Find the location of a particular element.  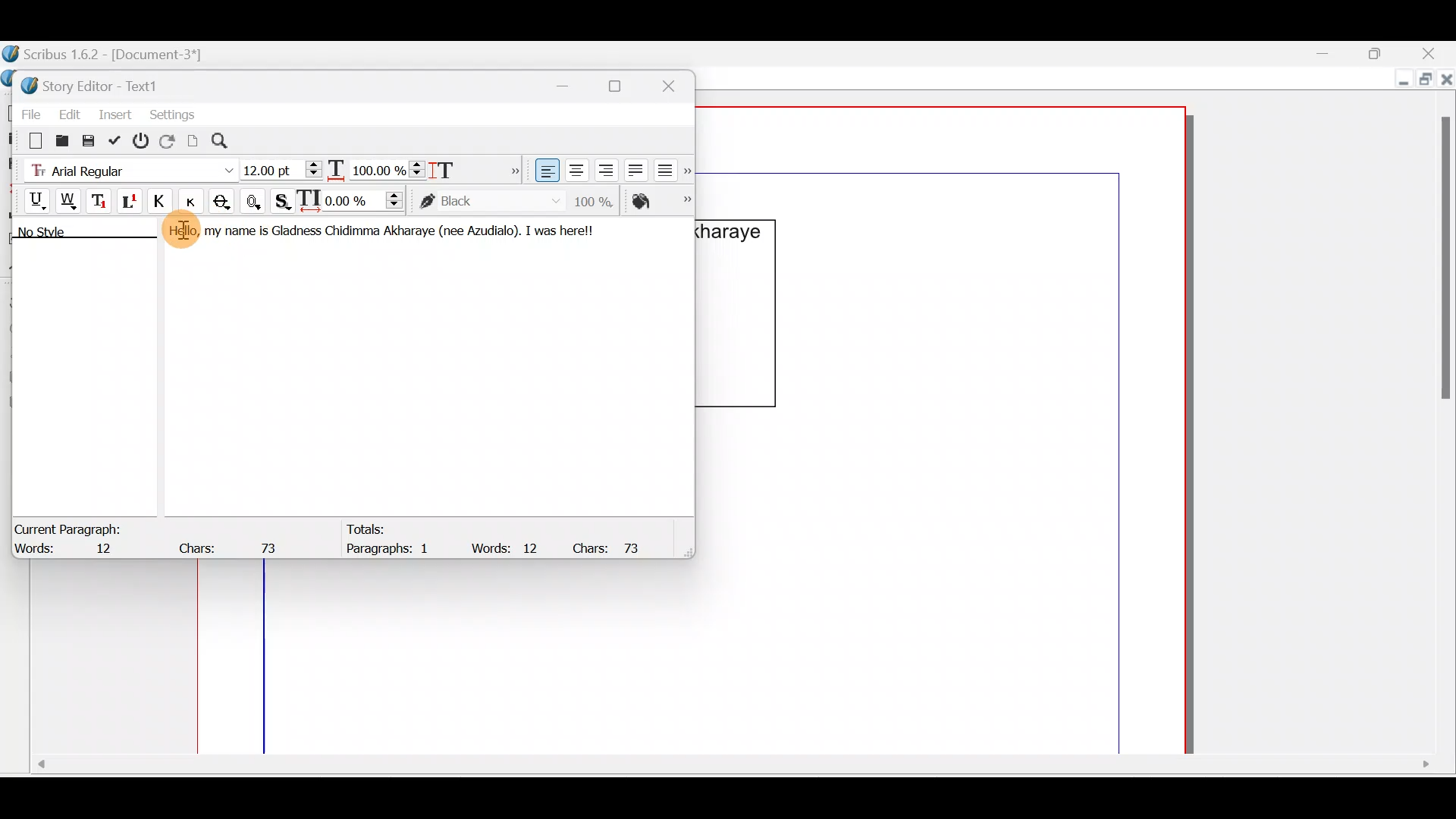

Exit without updating text frame is located at coordinates (143, 140).